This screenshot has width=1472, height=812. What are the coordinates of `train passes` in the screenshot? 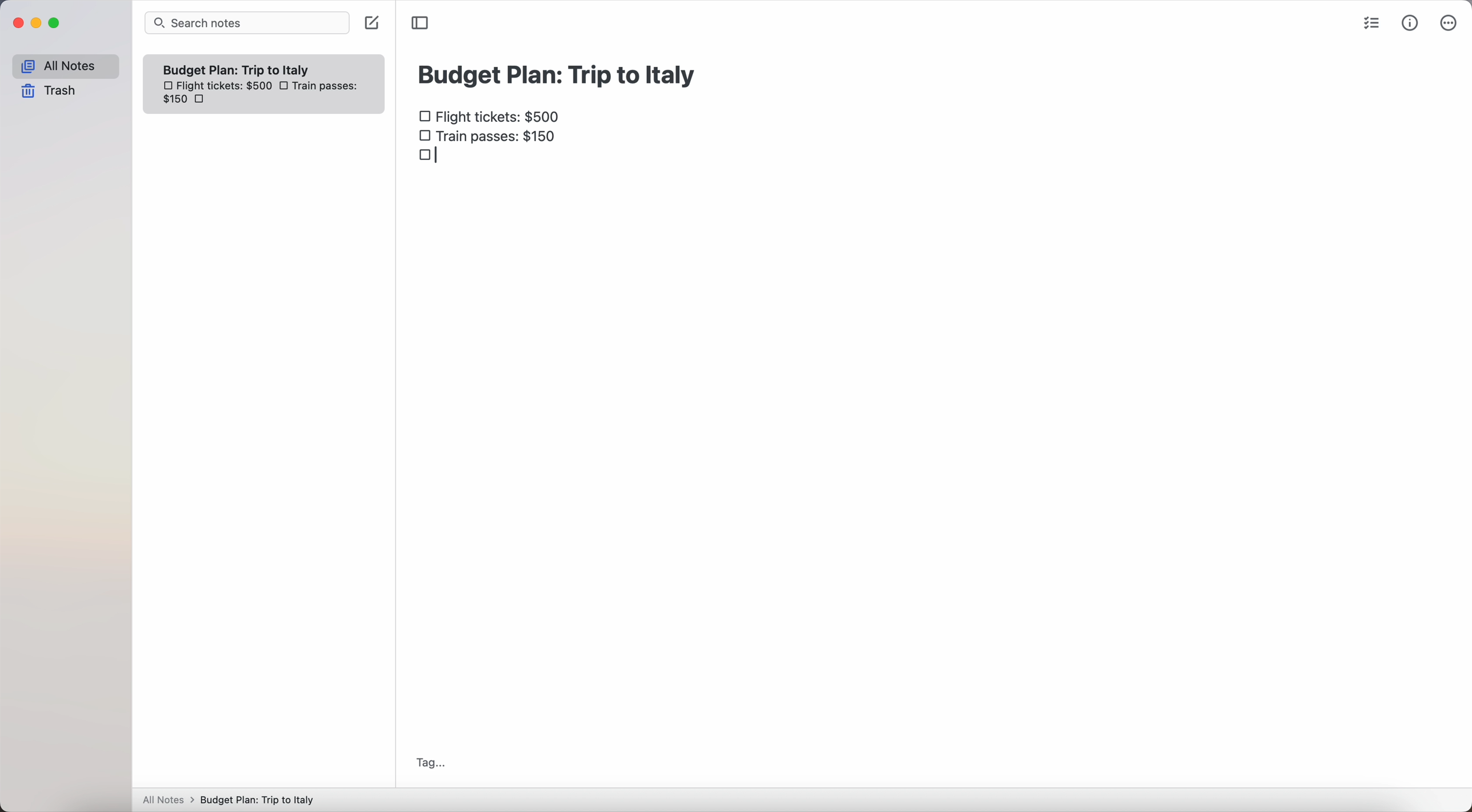 It's located at (327, 87).